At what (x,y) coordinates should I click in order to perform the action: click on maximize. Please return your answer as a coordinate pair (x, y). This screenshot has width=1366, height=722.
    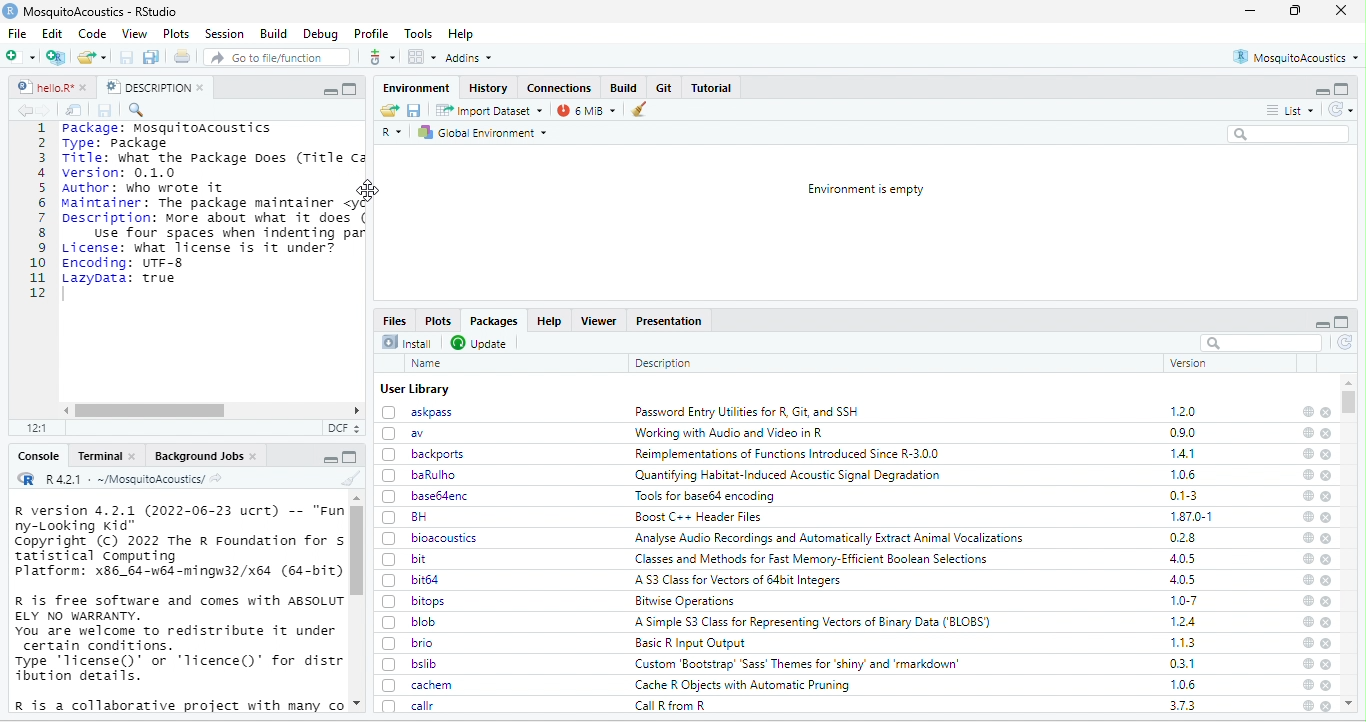
    Looking at the image, I should click on (330, 457).